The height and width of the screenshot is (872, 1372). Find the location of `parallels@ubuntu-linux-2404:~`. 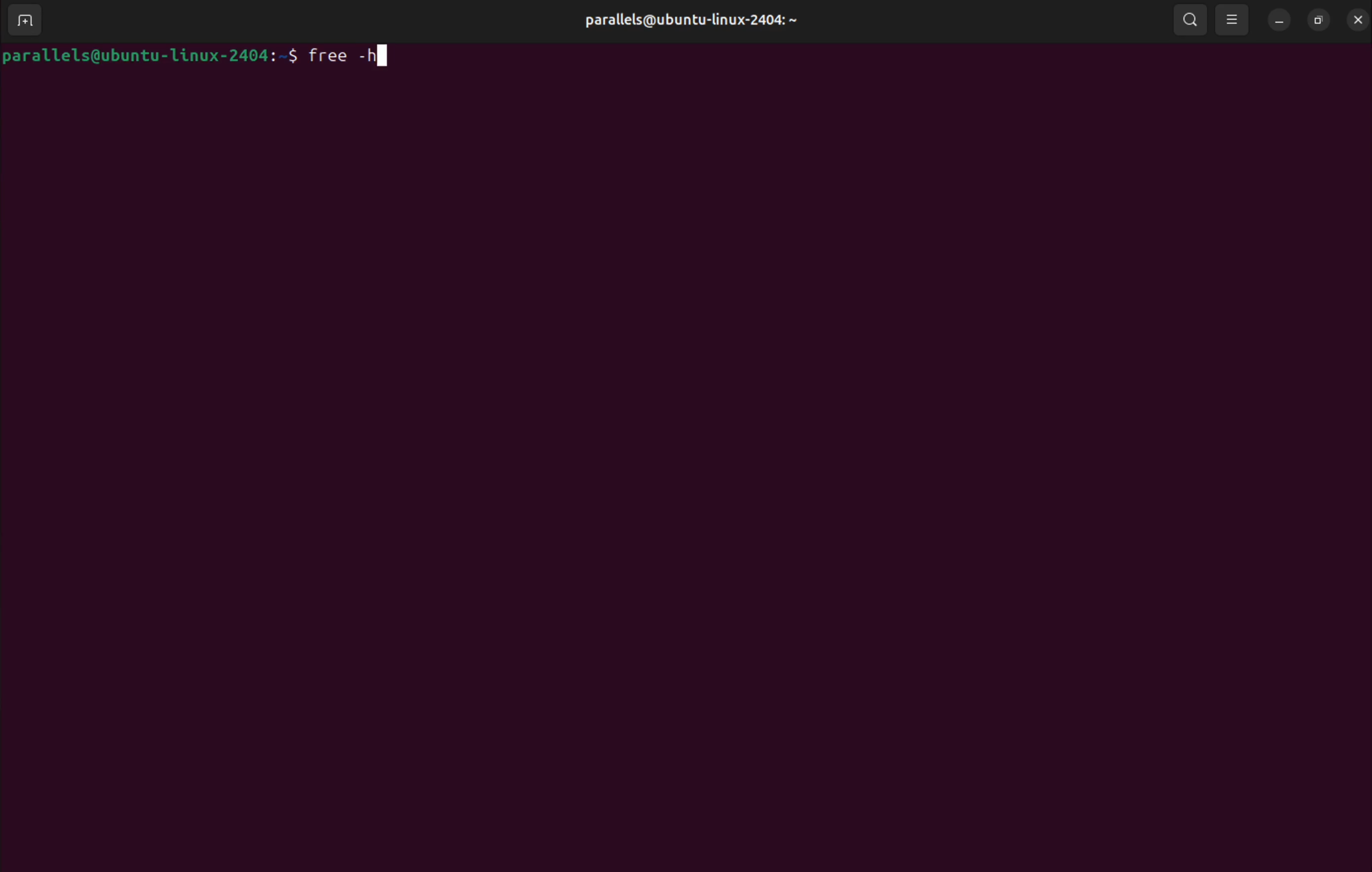

parallels@ubuntu-linux-2404:~ is located at coordinates (689, 20).